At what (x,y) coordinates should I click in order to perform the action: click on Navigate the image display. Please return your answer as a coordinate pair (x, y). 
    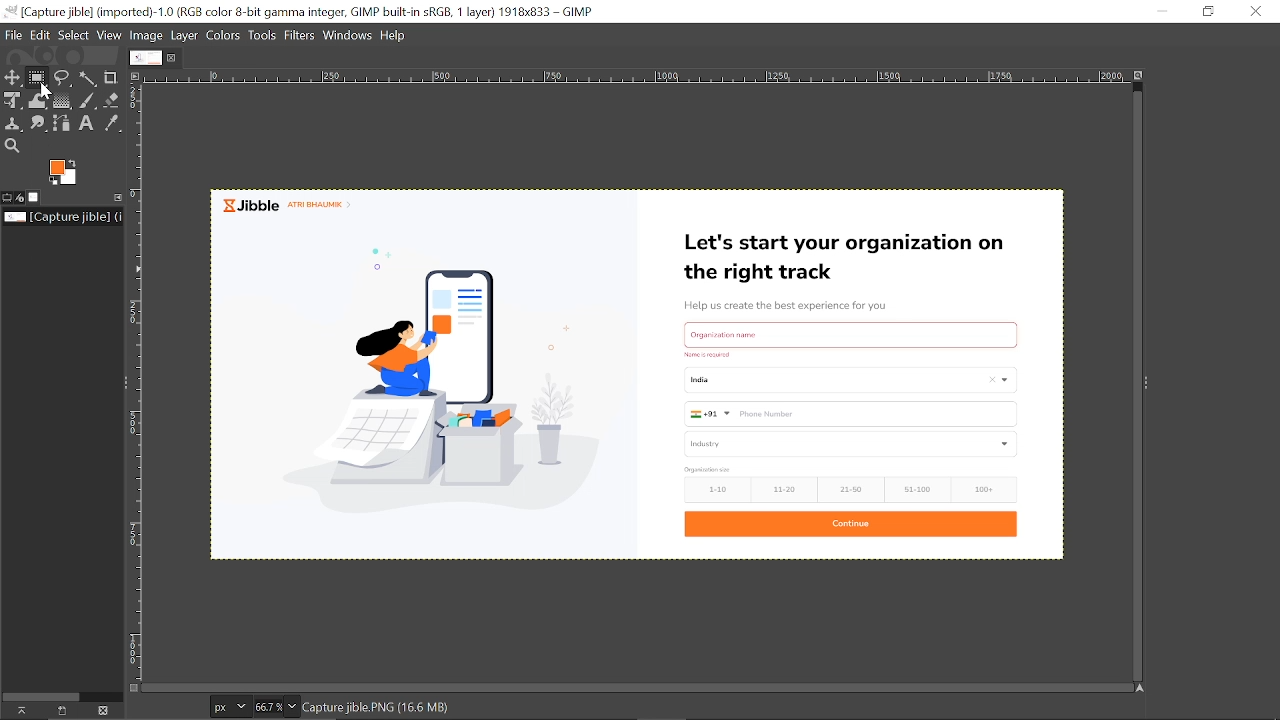
    Looking at the image, I should click on (1138, 688).